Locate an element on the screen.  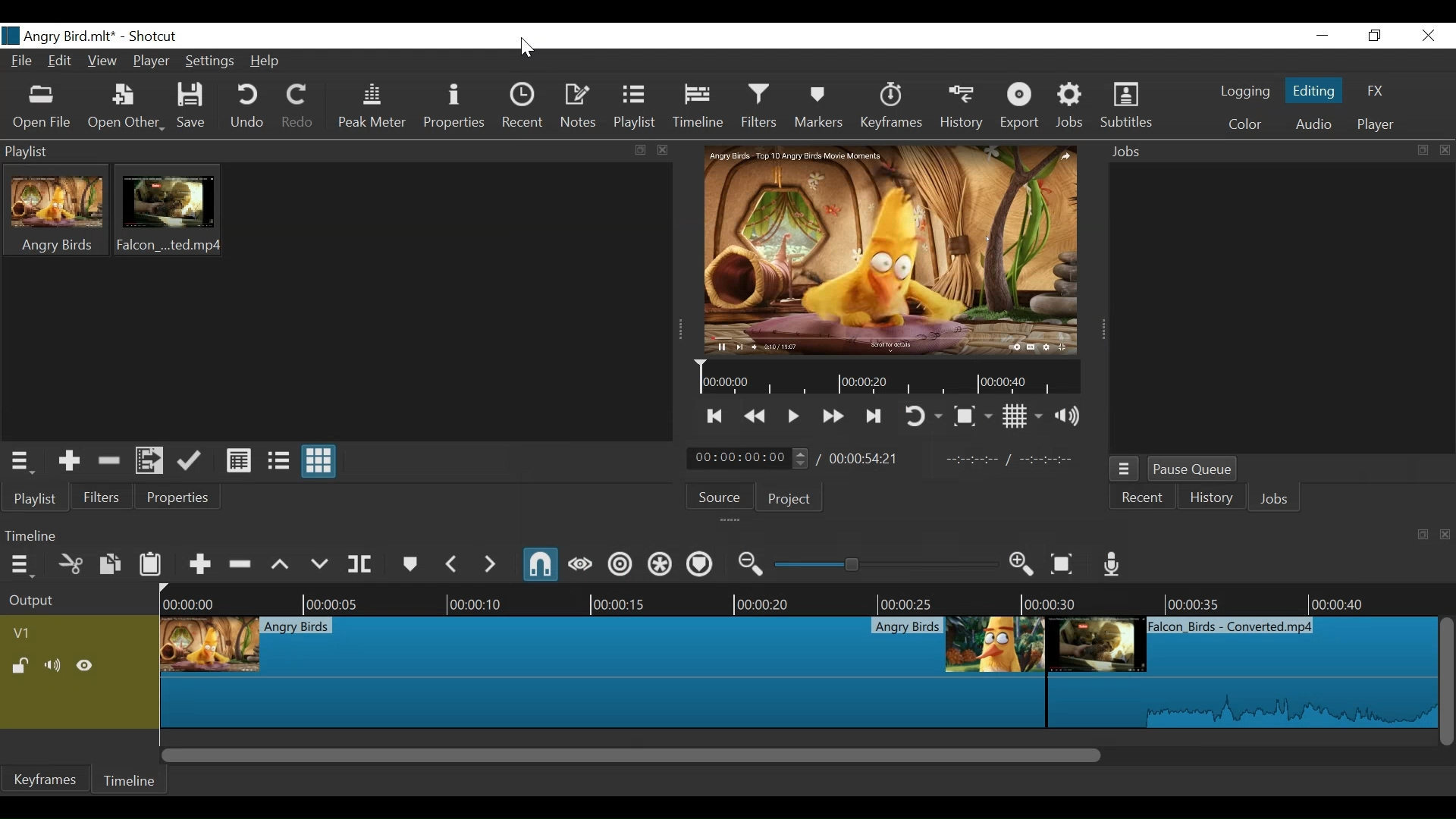
Playlist is located at coordinates (36, 497).